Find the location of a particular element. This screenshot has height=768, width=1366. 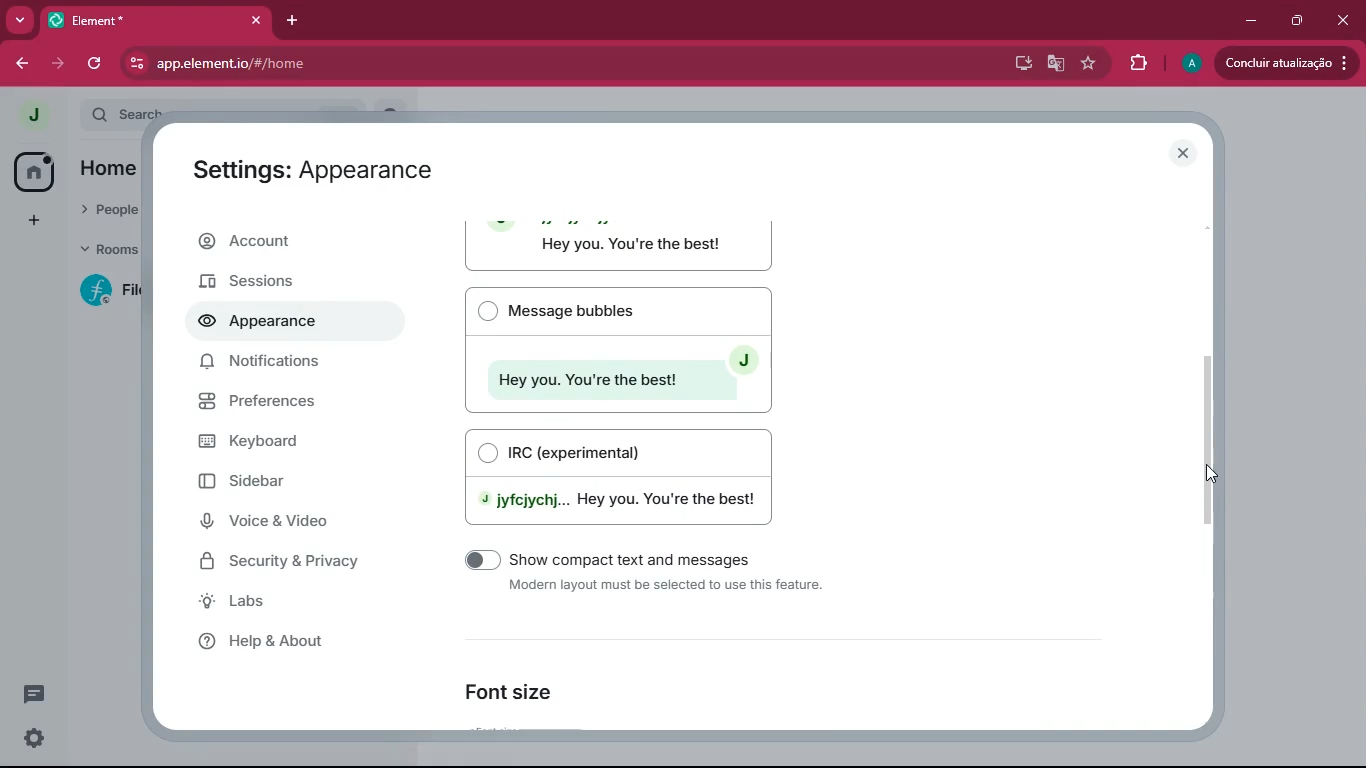

Element* is located at coordinates (140, 19).